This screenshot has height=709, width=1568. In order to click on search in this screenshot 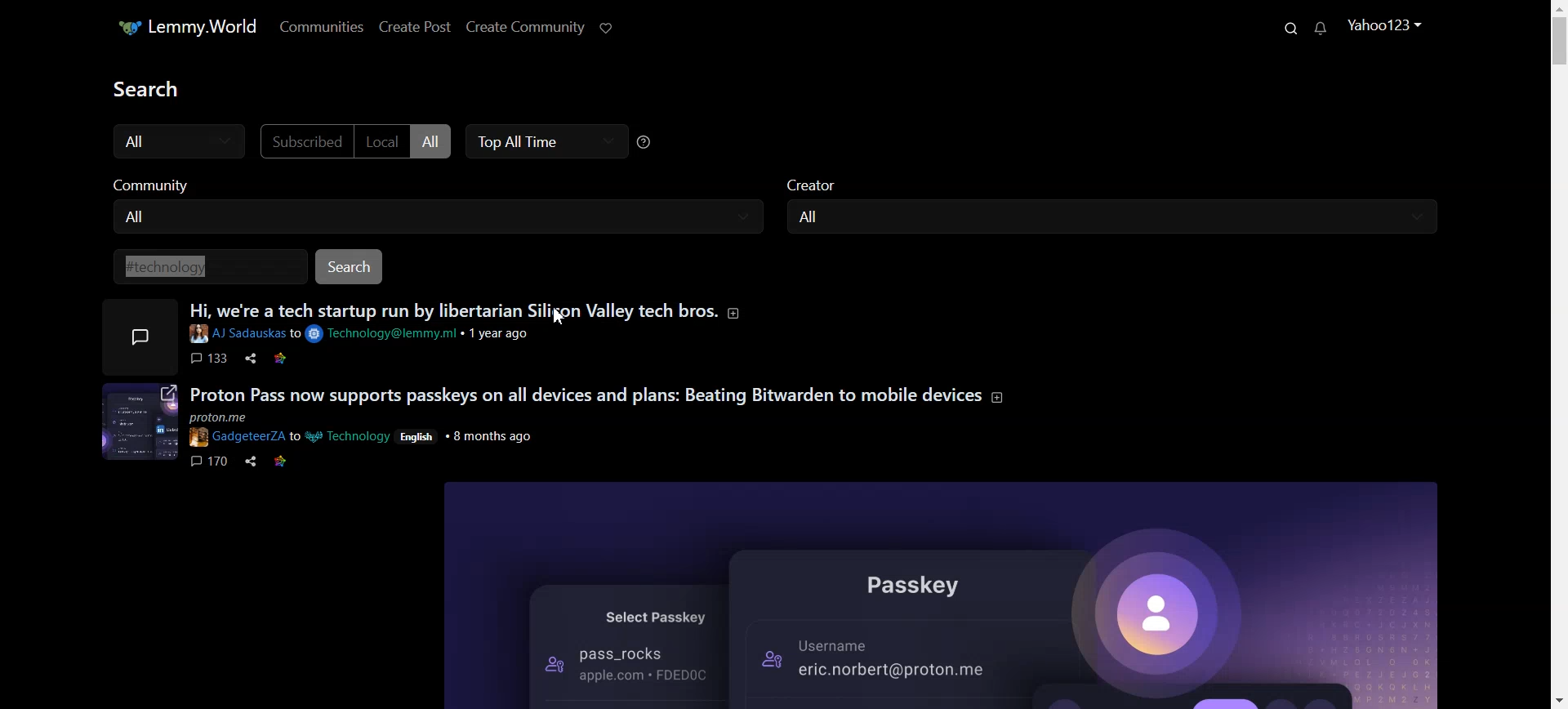, I will do `click(145, 88)`.